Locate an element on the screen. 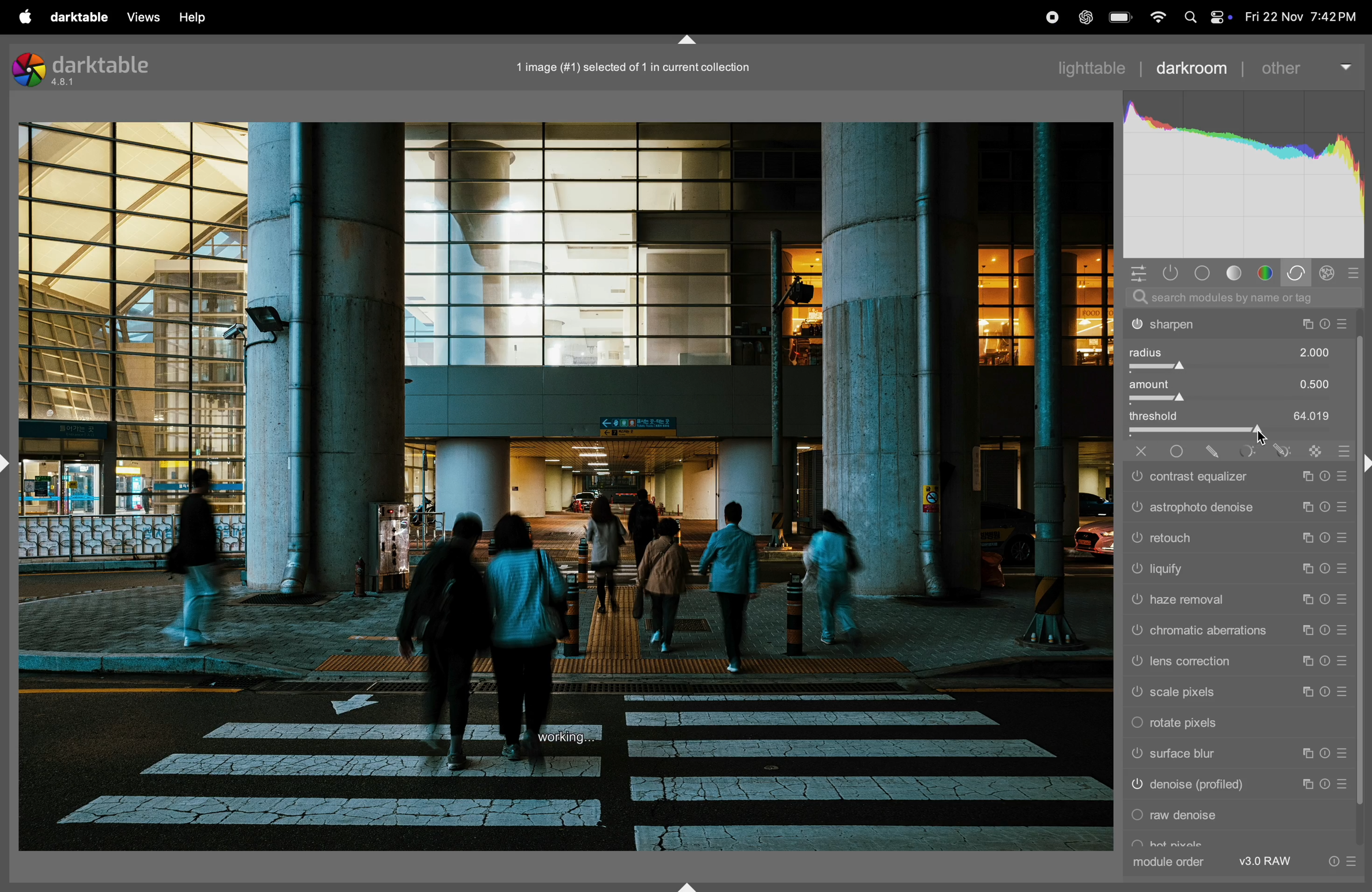 The width and height of the screenshot is (1372, 892). chromatic abbretations is located at coordinates (1237, 632).